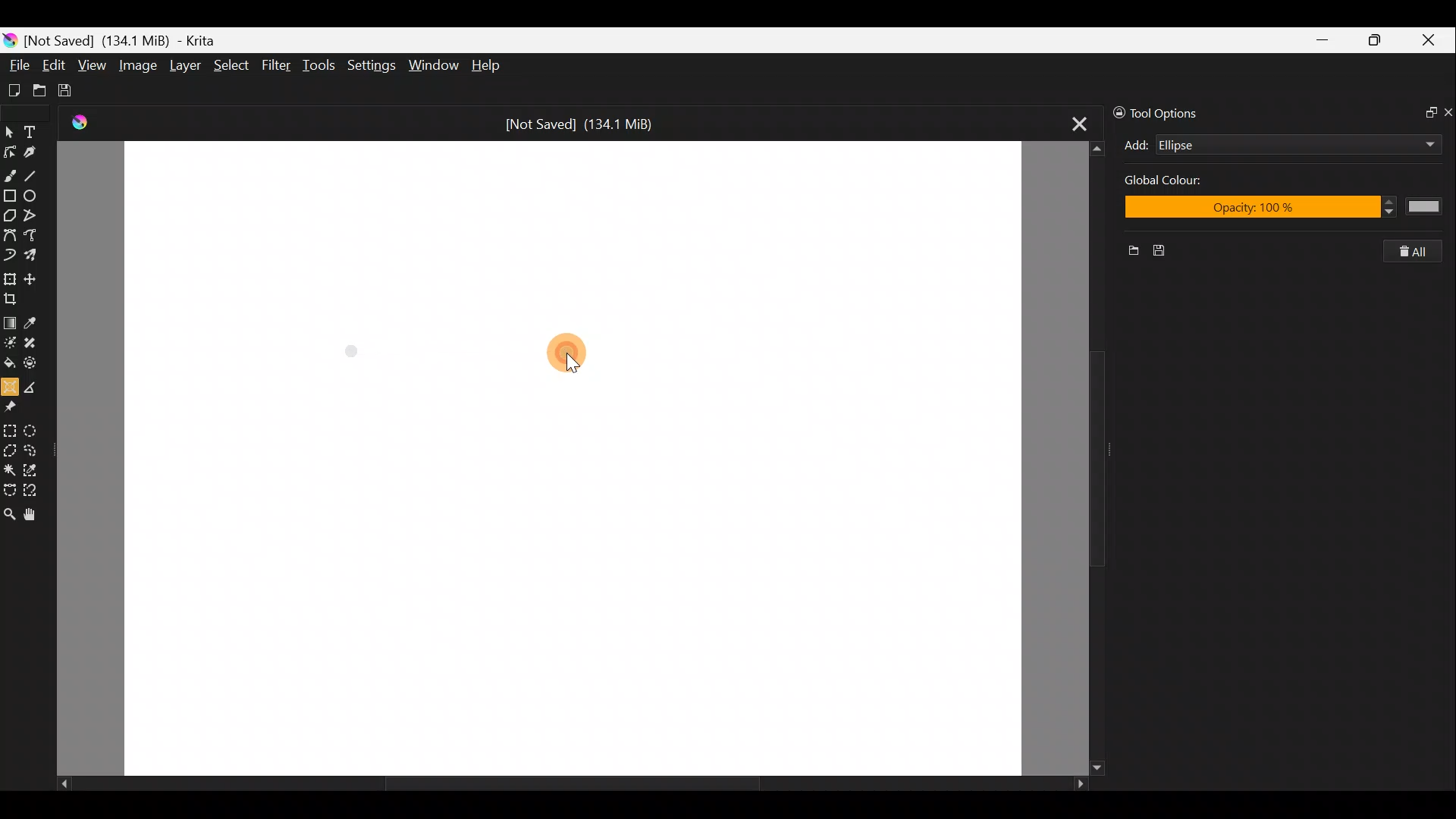  What do you see at coordinates (1136, 145) in the screenshot?
I see `Add` at bounding box center [1136, 145].